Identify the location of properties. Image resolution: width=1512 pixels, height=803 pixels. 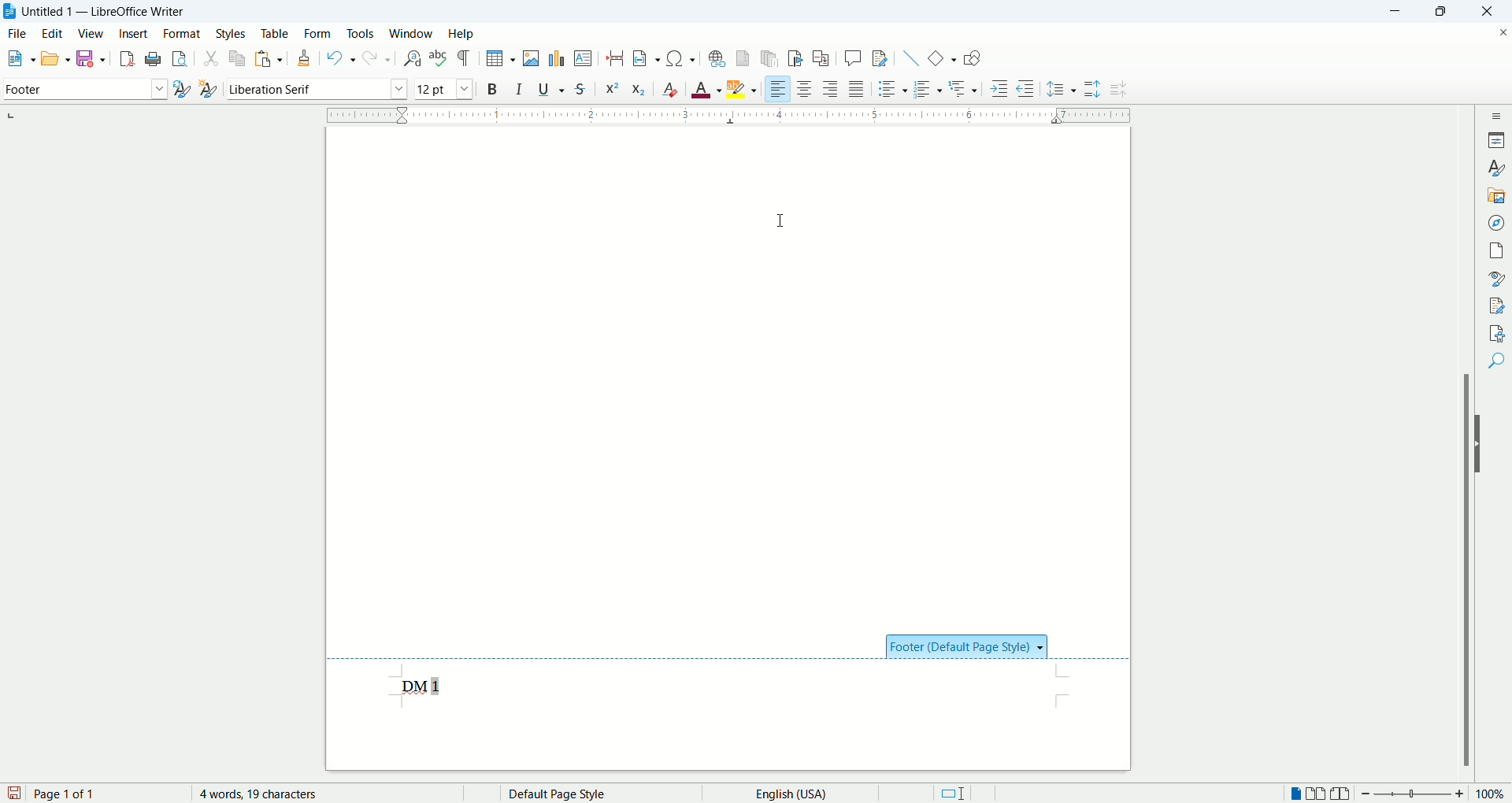
(1498, 139).